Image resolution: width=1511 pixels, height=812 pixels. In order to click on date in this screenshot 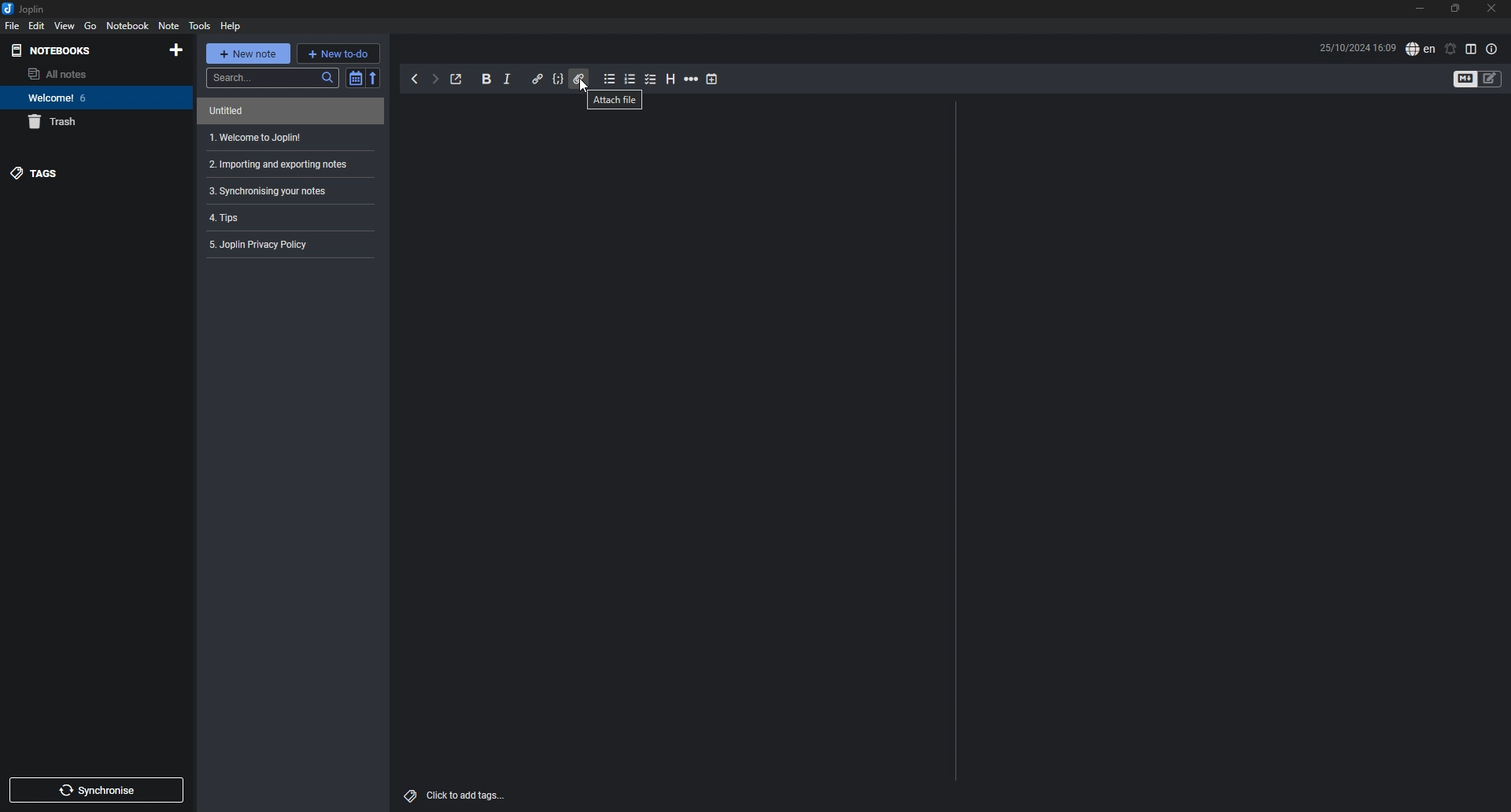, I will do `click(1357, 47)`.